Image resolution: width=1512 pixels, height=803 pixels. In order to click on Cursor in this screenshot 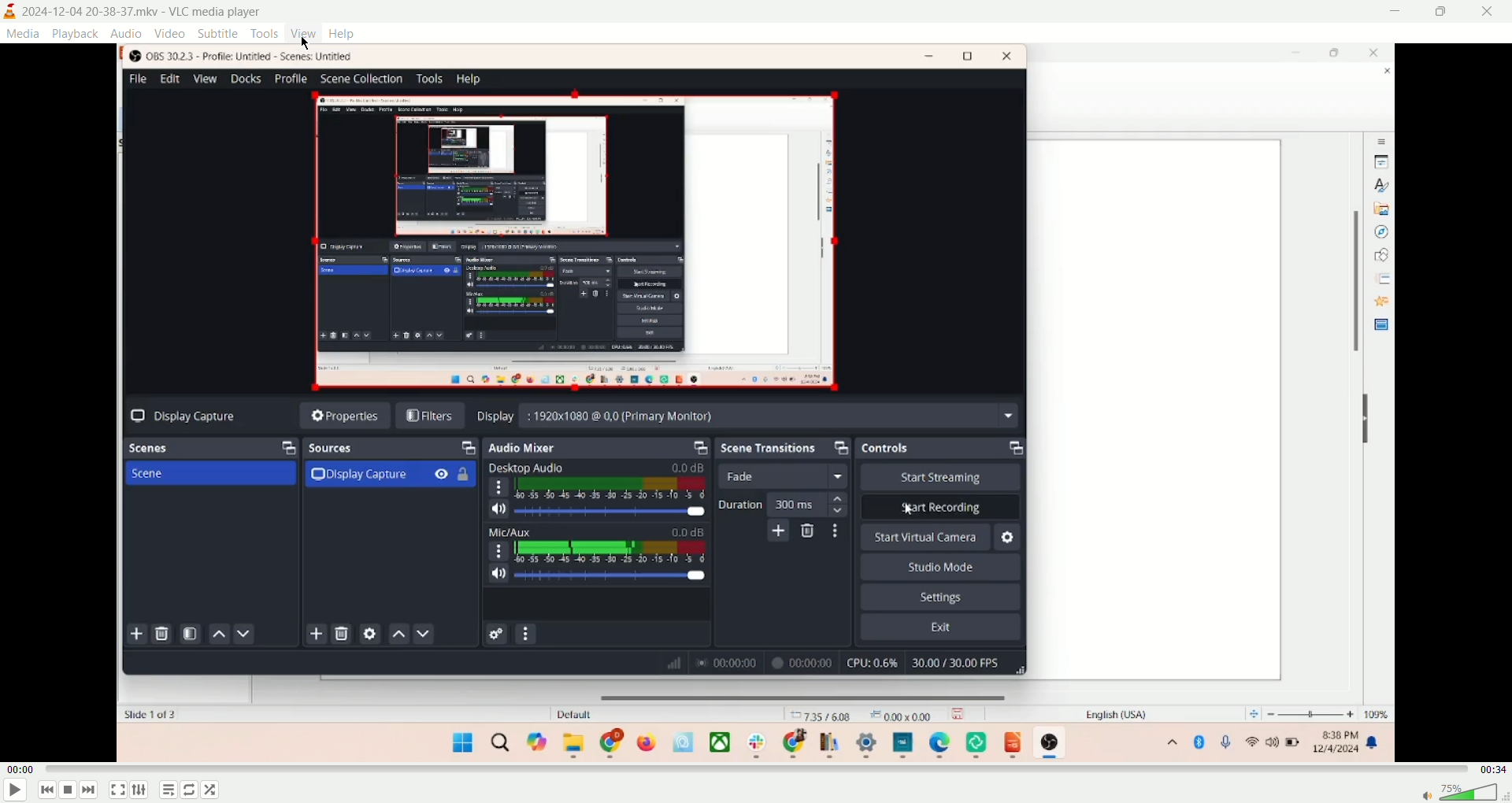, I will do `click(308, 41)`.